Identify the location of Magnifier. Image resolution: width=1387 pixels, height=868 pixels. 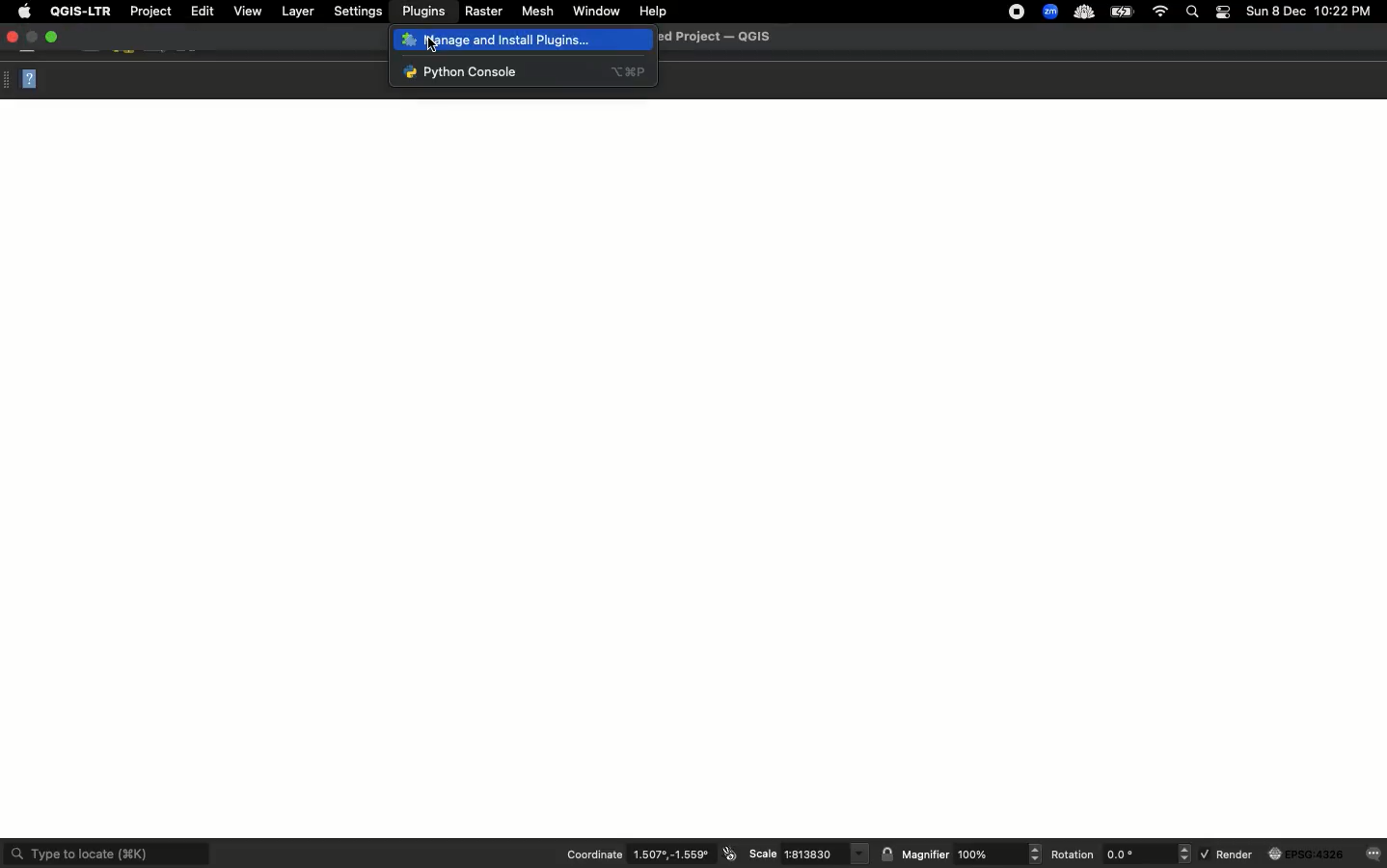
(997, 854).